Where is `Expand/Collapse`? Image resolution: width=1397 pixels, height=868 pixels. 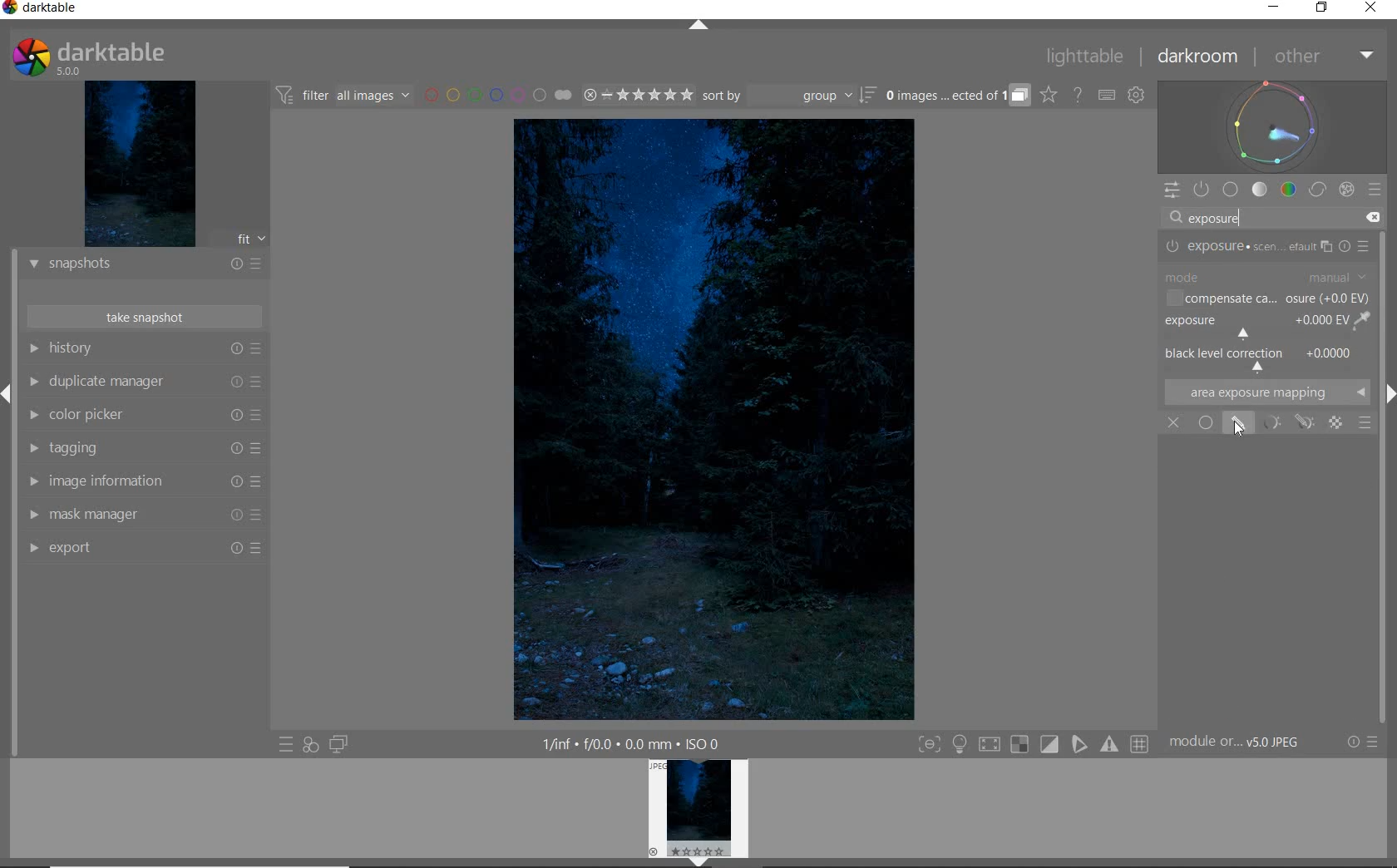
Expand/Collapse is located at coordinates (8, 392).